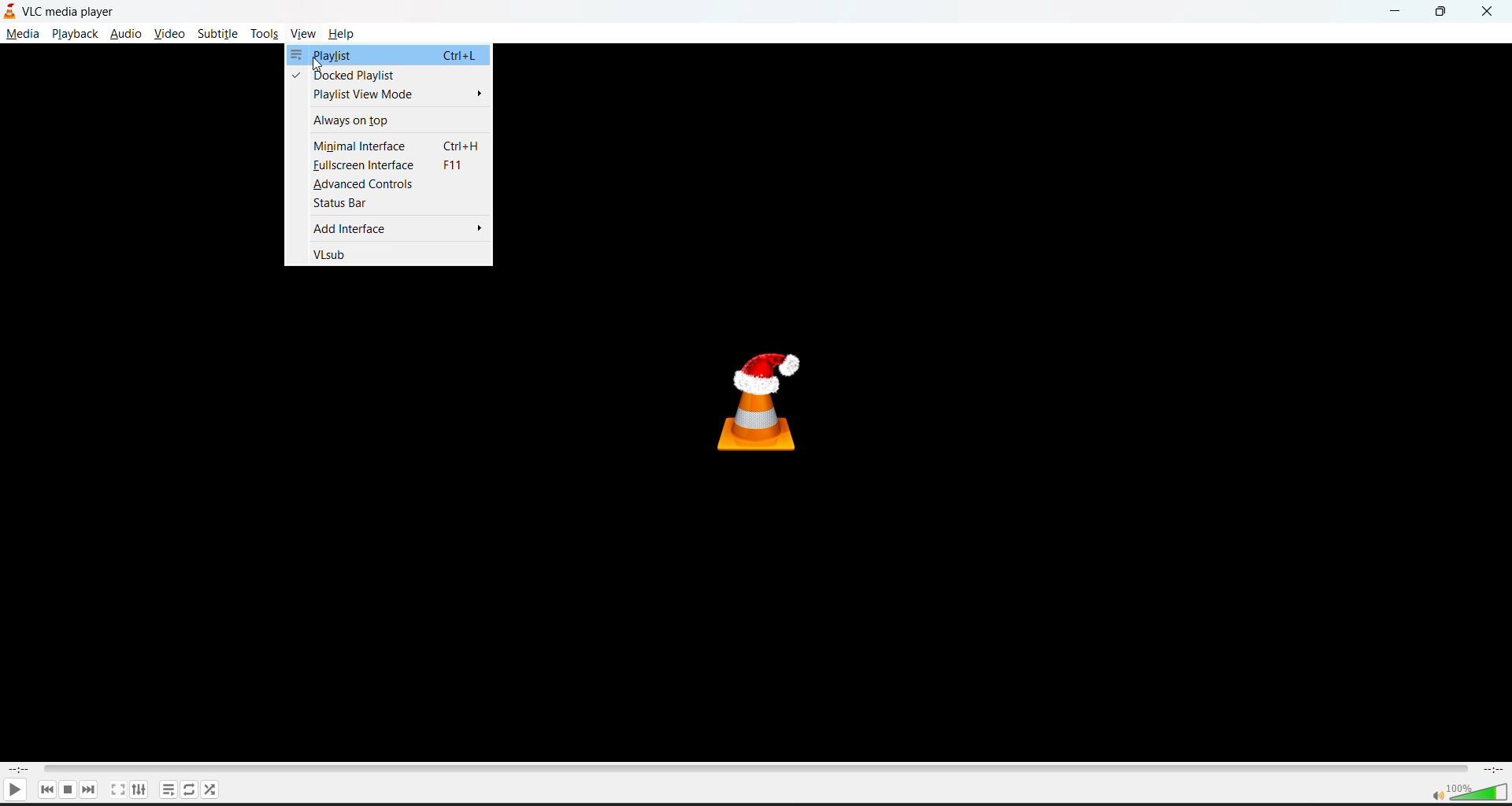 The image size is (1512, 806). I want to click on track slider, so click(754, 771).